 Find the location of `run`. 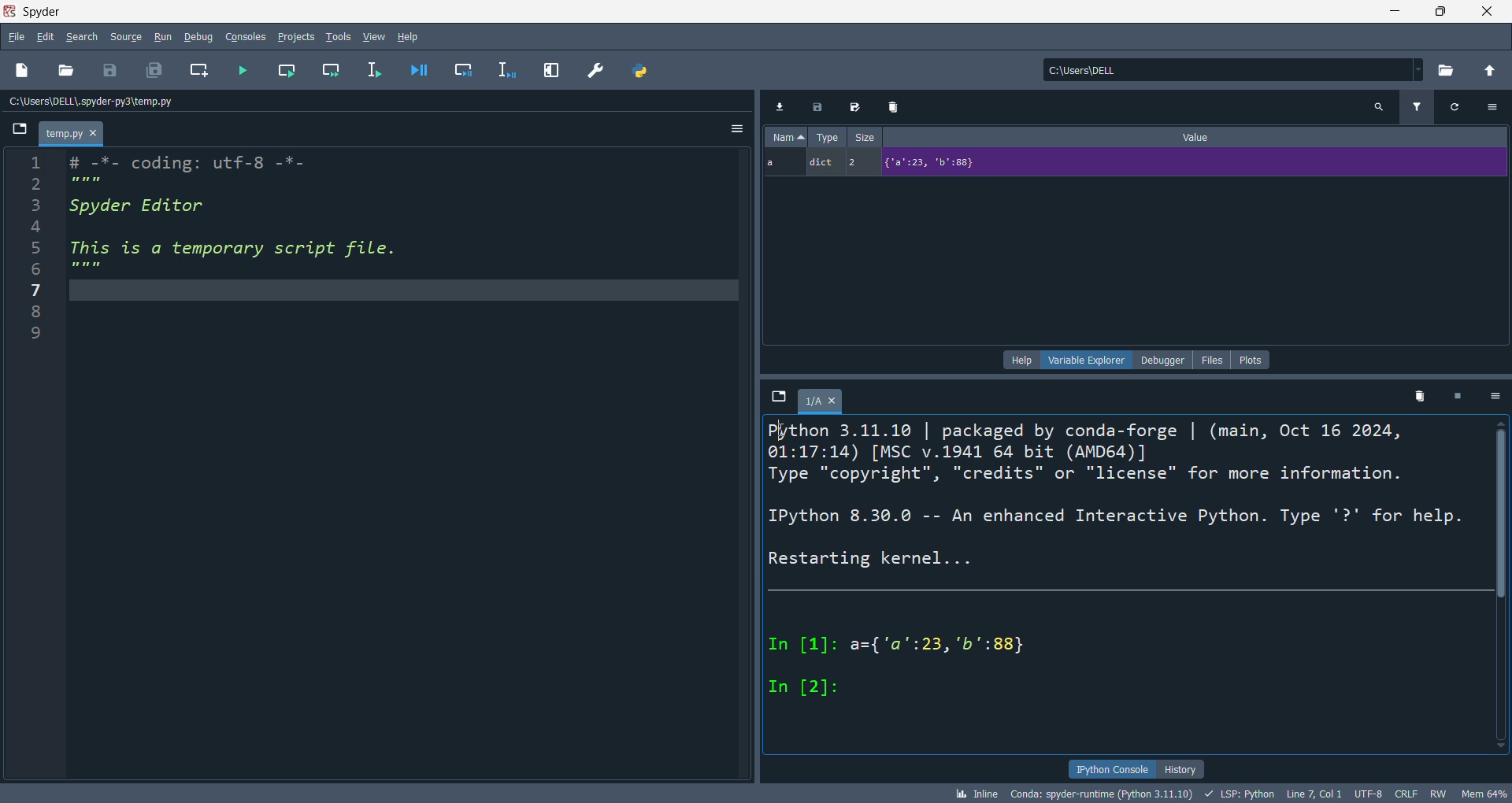

run is located at coordinates (168, 37).